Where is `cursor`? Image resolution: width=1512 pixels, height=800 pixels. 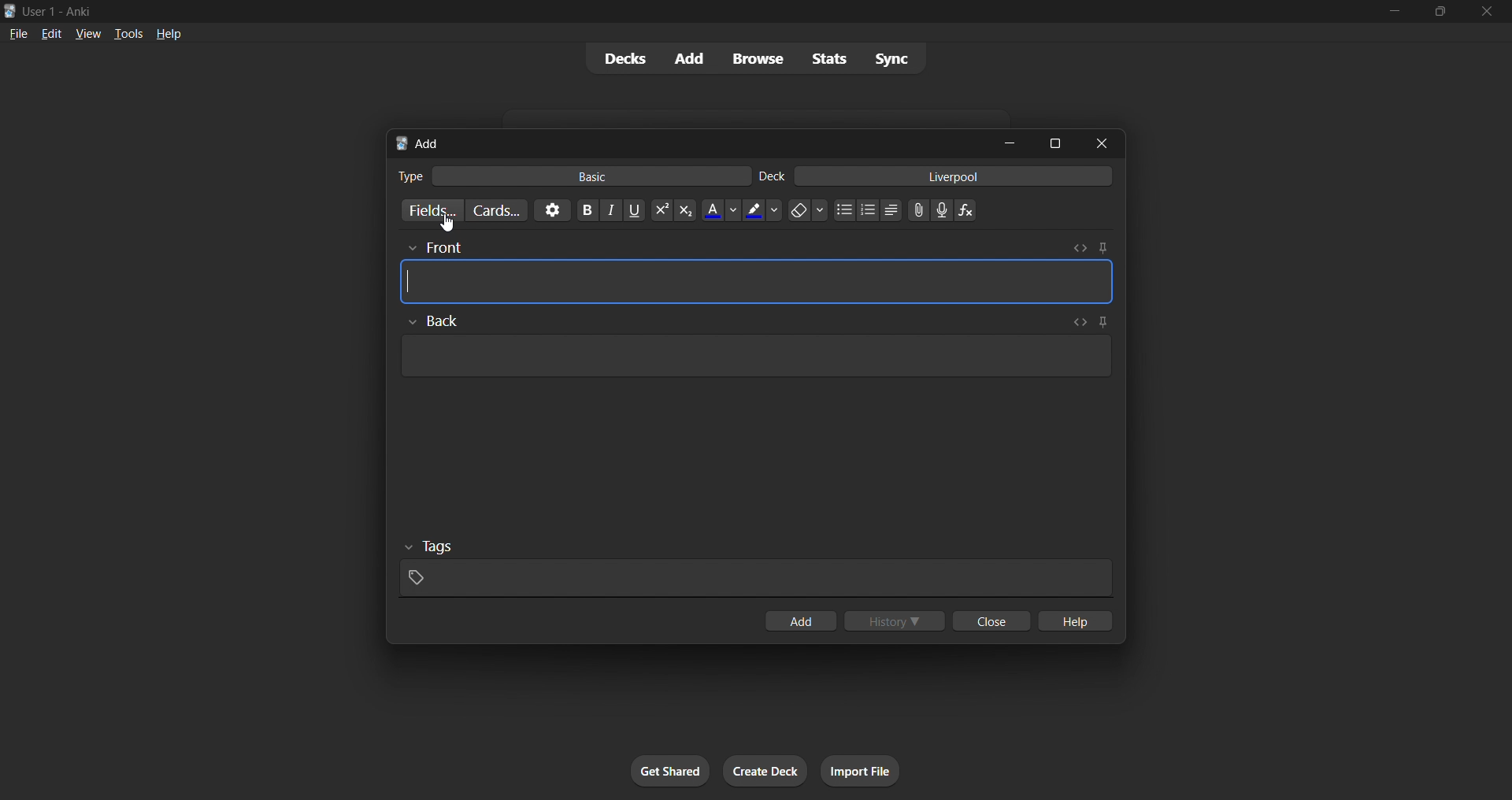 cursor is located at coordinates (448, 224).